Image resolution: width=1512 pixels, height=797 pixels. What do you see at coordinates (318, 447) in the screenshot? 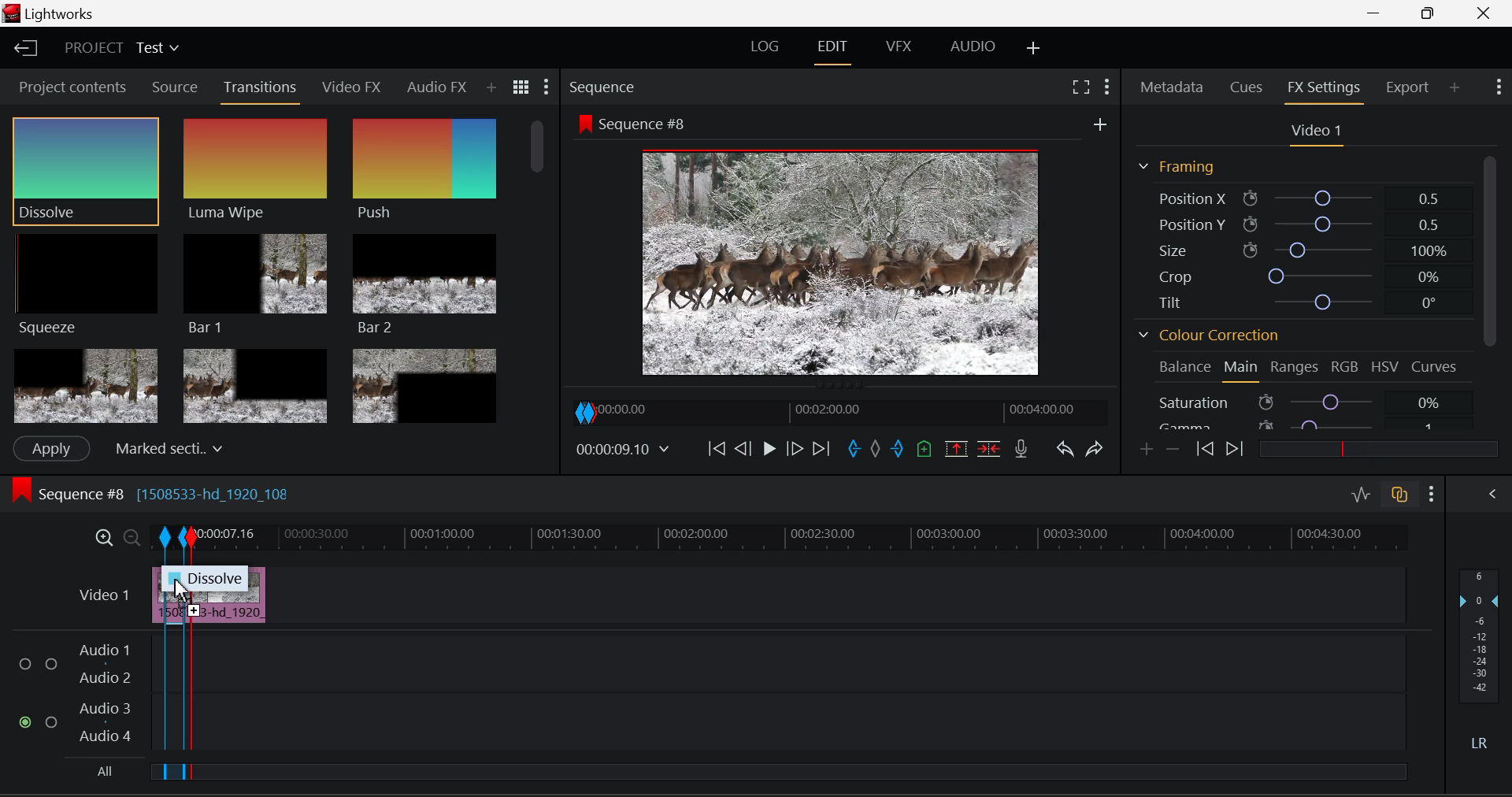
I see `frames input` at bounding box center [318, 447].